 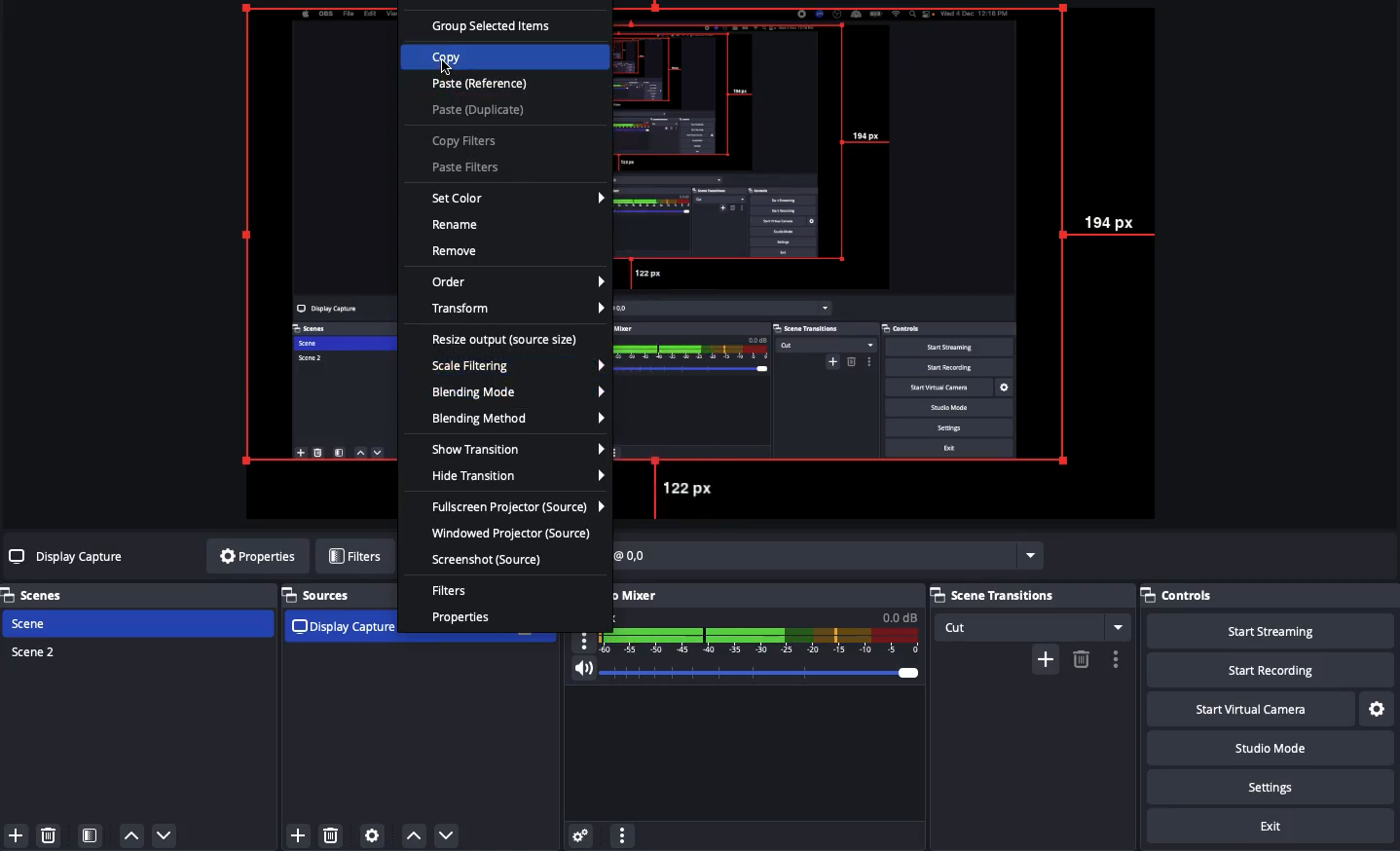 I want to click on Order, so click(x=518, y=282).